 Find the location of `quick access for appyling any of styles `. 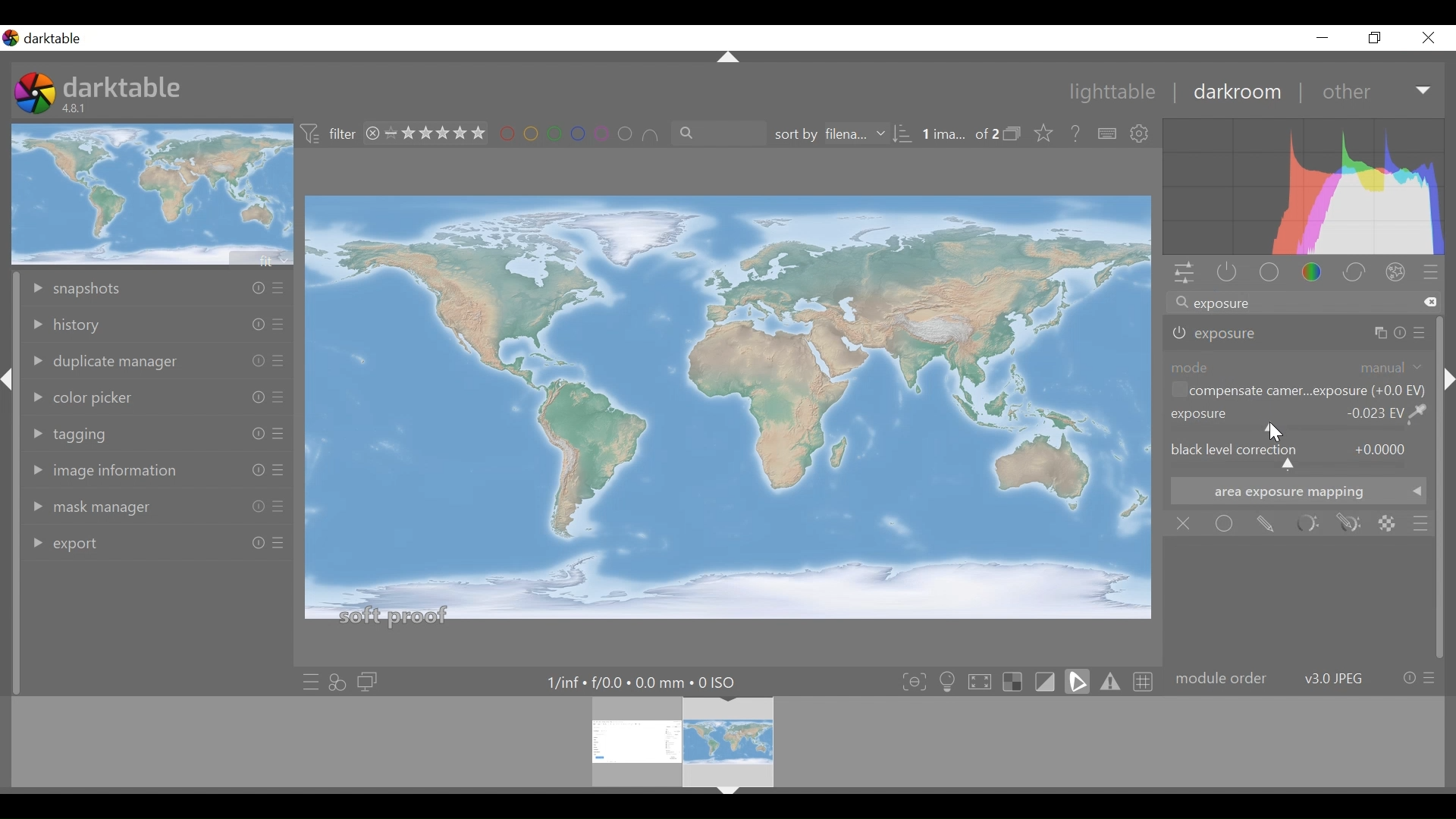

quick access for appyling any of styles  is located at coordinates (337, 682).